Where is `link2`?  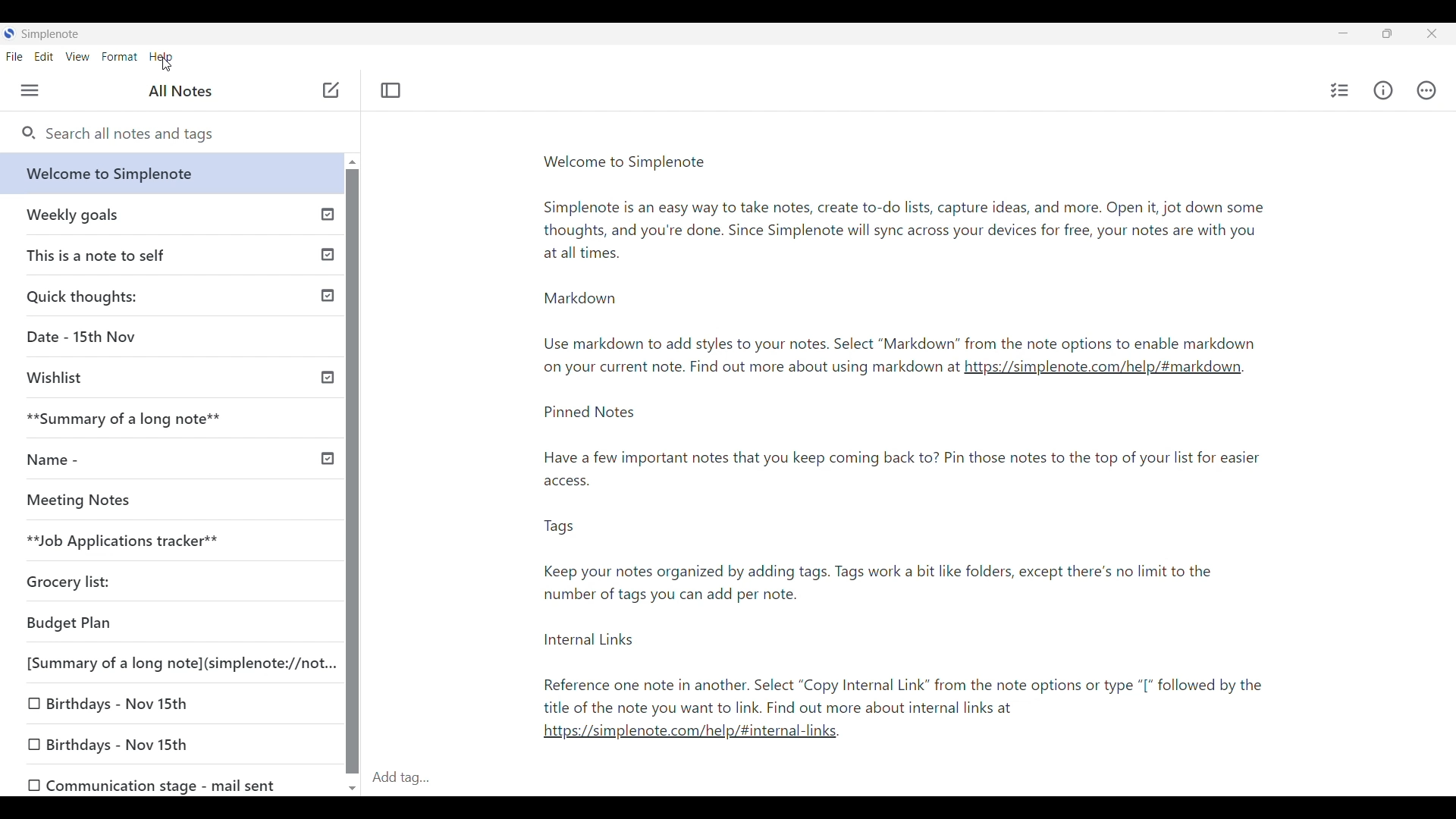
link2 is located at coordinates (712, 731).